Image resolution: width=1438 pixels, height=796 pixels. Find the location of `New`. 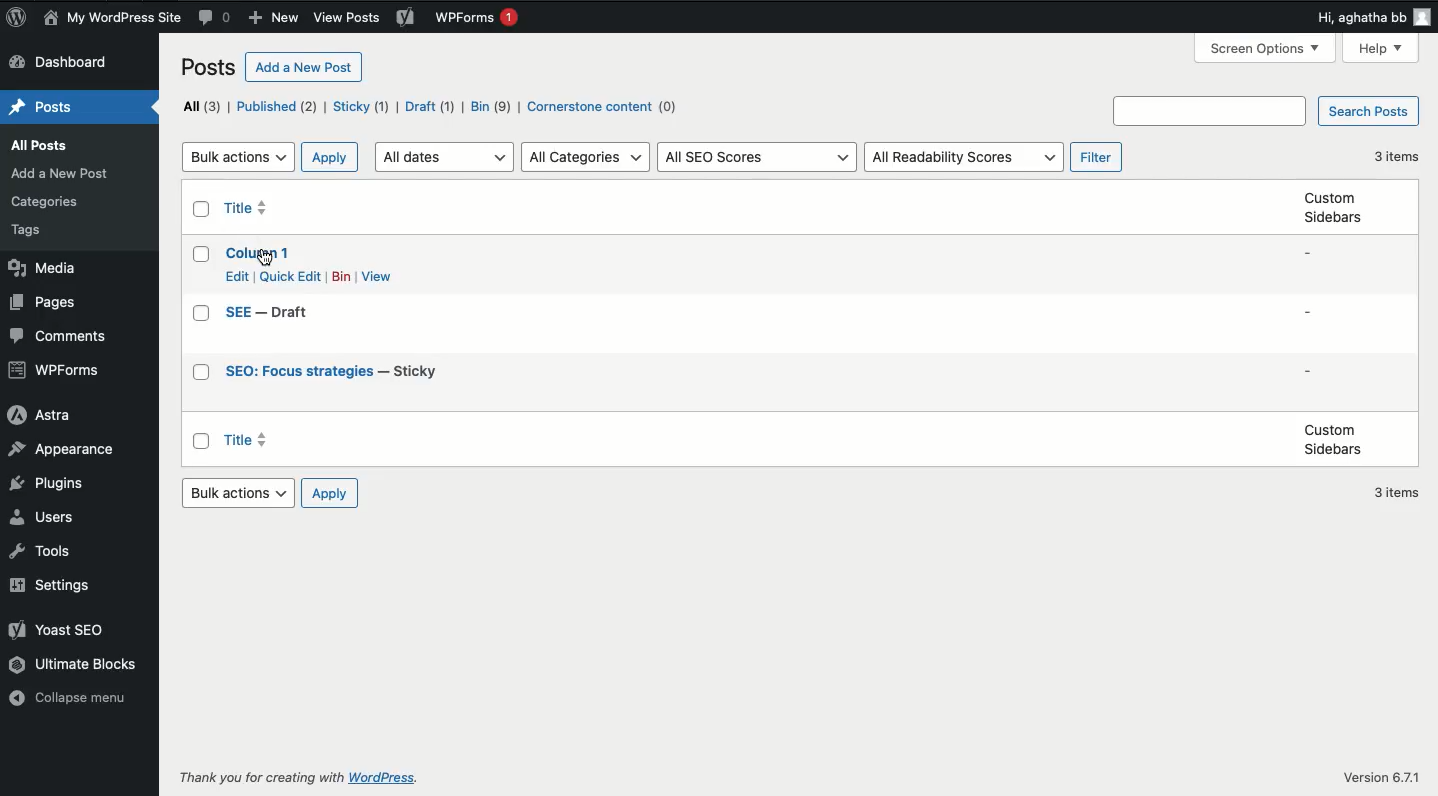

New is located at coordinates (271, 17).